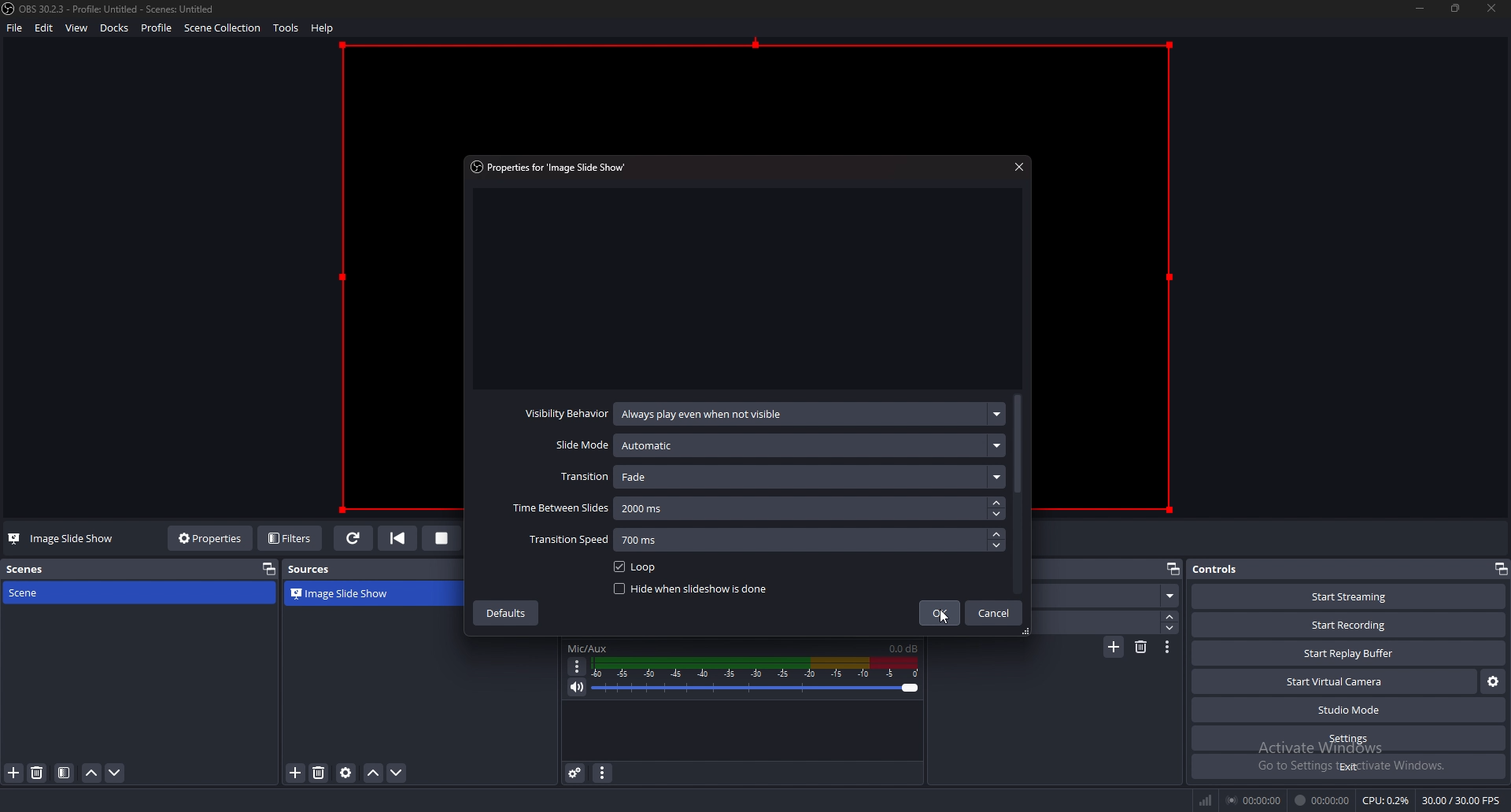 This screenshot has height=812, width=1511. Describe the element at coordinates (353, 592) in the screenshot. I see `image slideshow` at that location.